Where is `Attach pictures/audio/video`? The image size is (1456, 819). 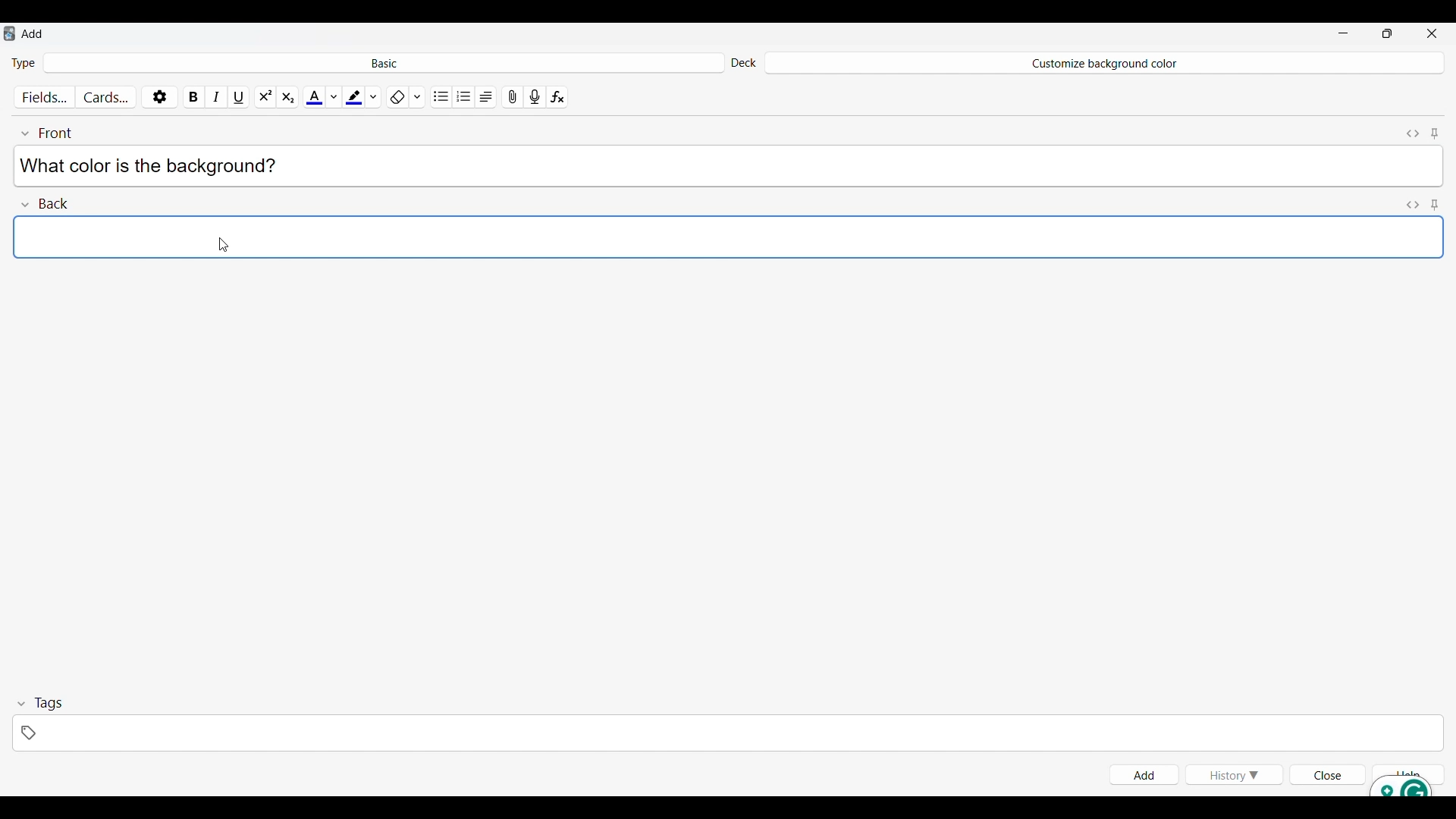
Attach pictures/audio/video is located at coordinates (513, 95).